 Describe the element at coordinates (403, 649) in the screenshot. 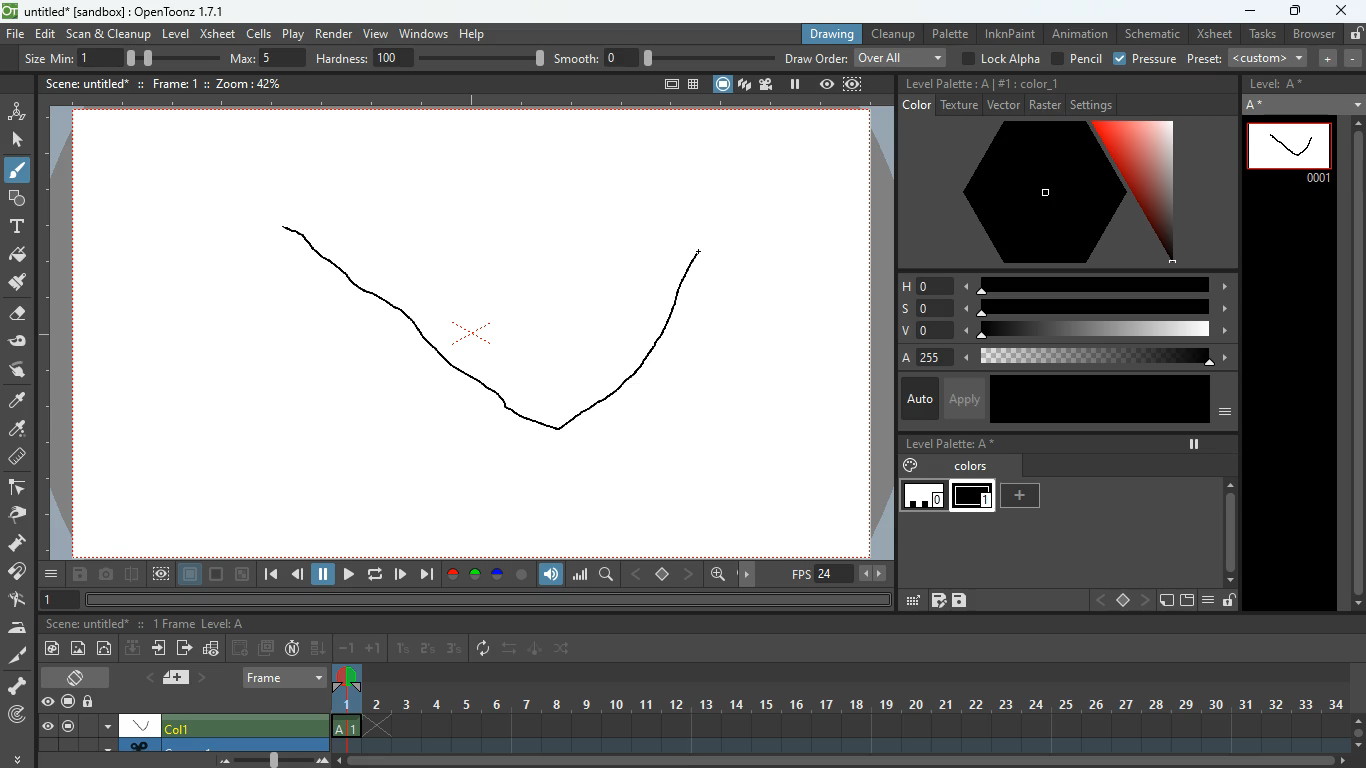

I see `1` at that location.